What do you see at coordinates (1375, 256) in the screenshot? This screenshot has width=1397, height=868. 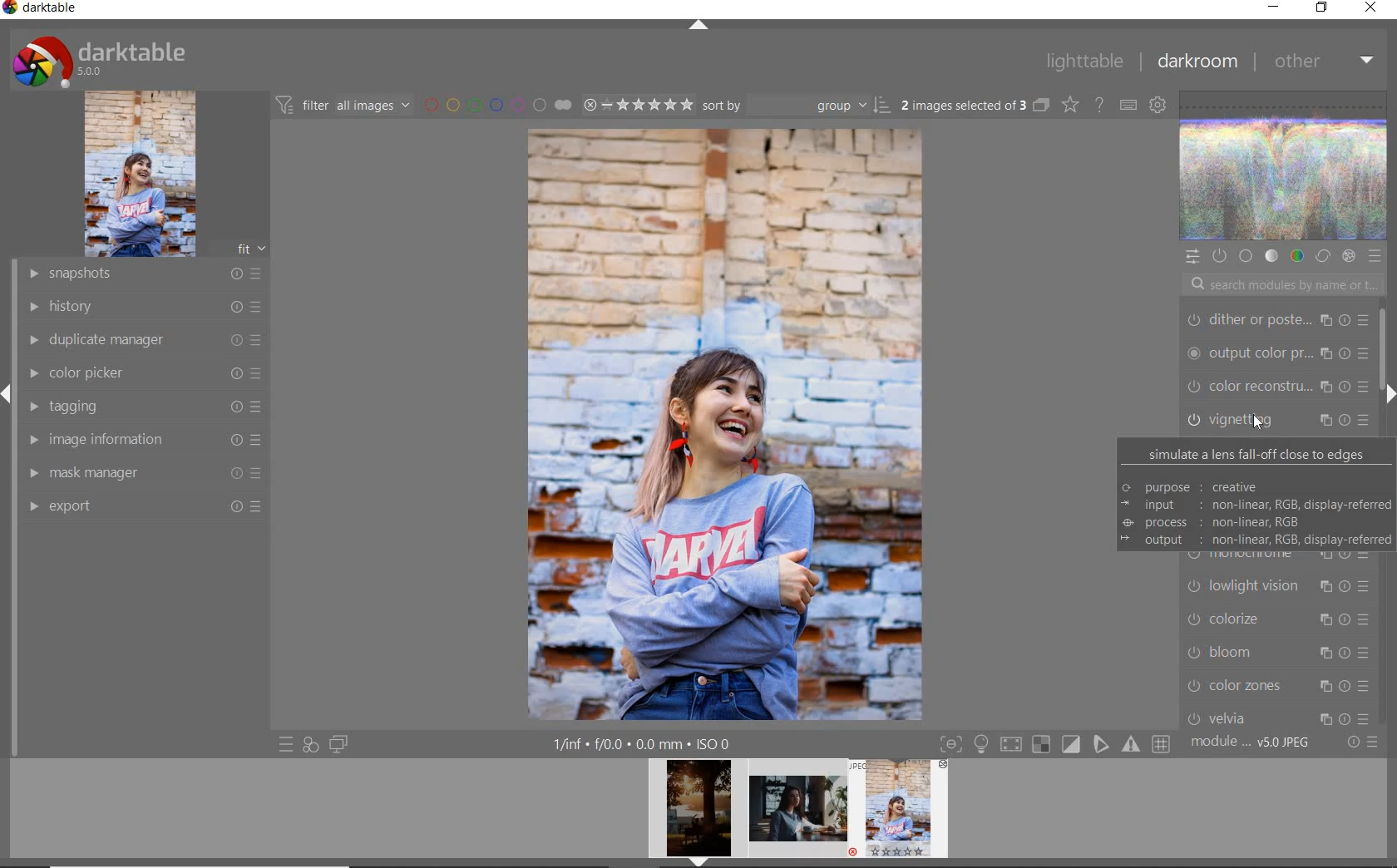 I see `preset` at bounding box center [1375, 256].